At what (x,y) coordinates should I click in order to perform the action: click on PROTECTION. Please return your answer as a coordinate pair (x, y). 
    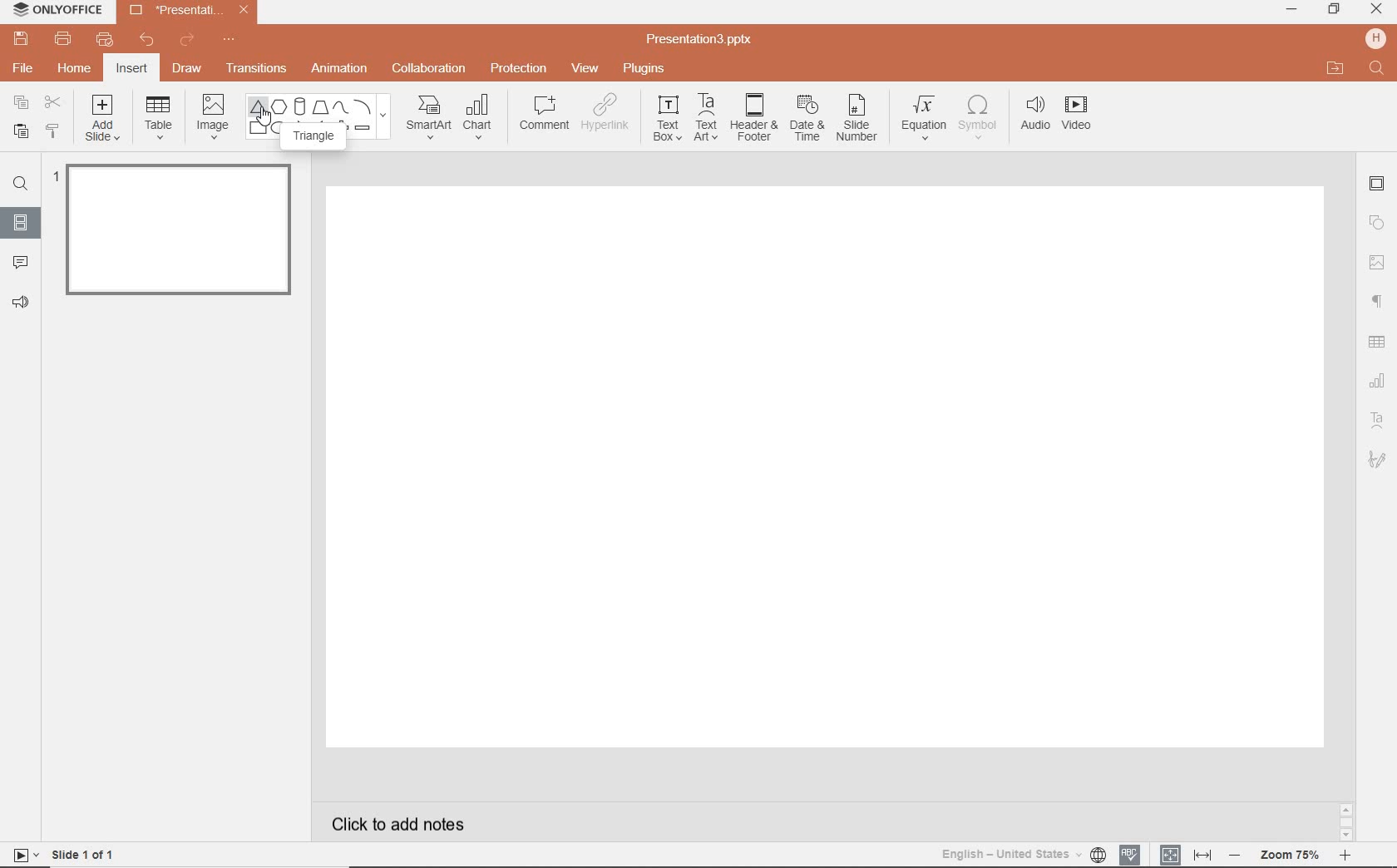
    Looking at the image, I should click on (520, 67).